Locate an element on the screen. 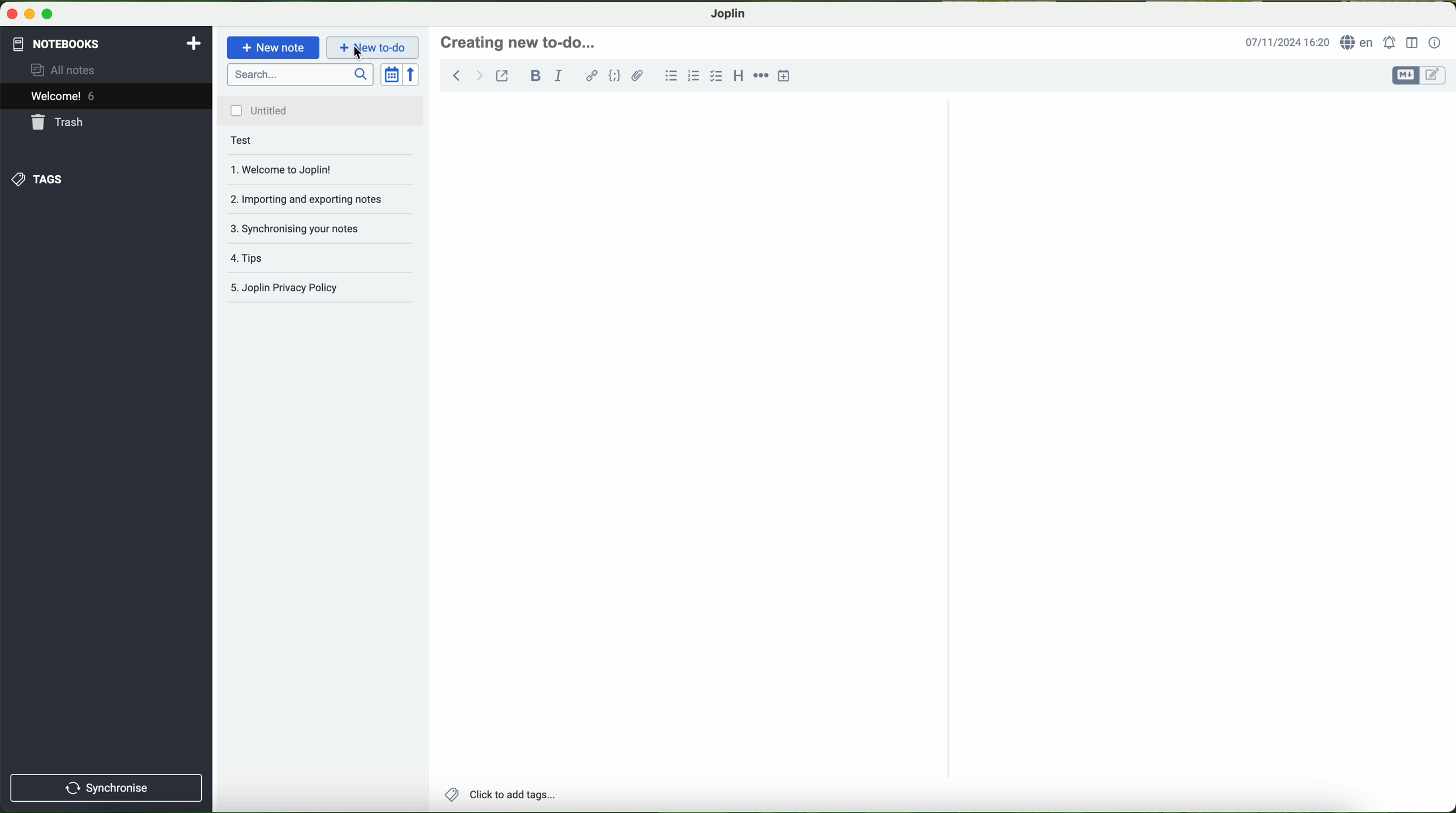 This screenshot has height=813, width=1456. untitled file is located at coordinates (324, 110).